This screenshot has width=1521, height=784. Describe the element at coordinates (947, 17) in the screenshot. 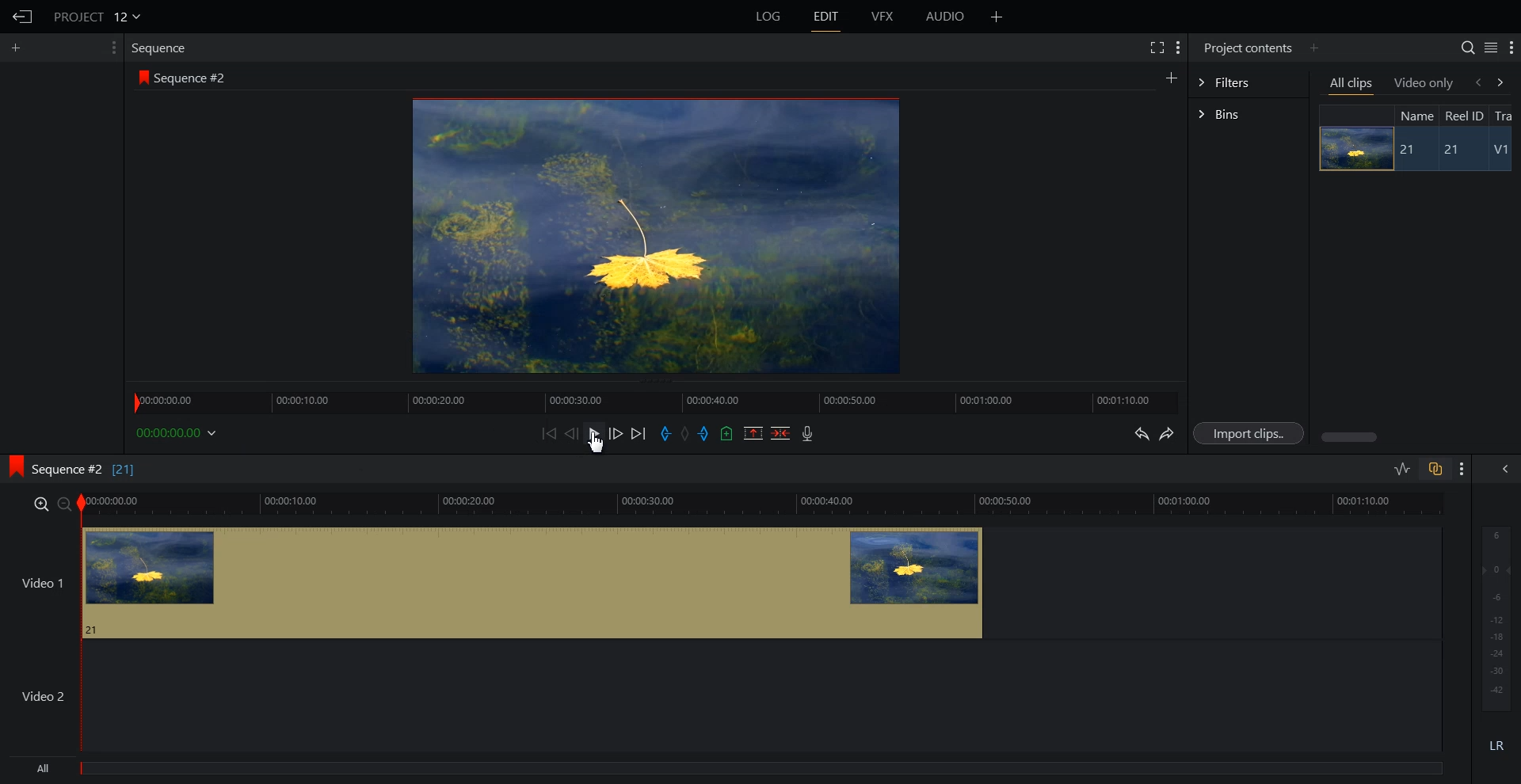

I see `AUDIO` at that location.